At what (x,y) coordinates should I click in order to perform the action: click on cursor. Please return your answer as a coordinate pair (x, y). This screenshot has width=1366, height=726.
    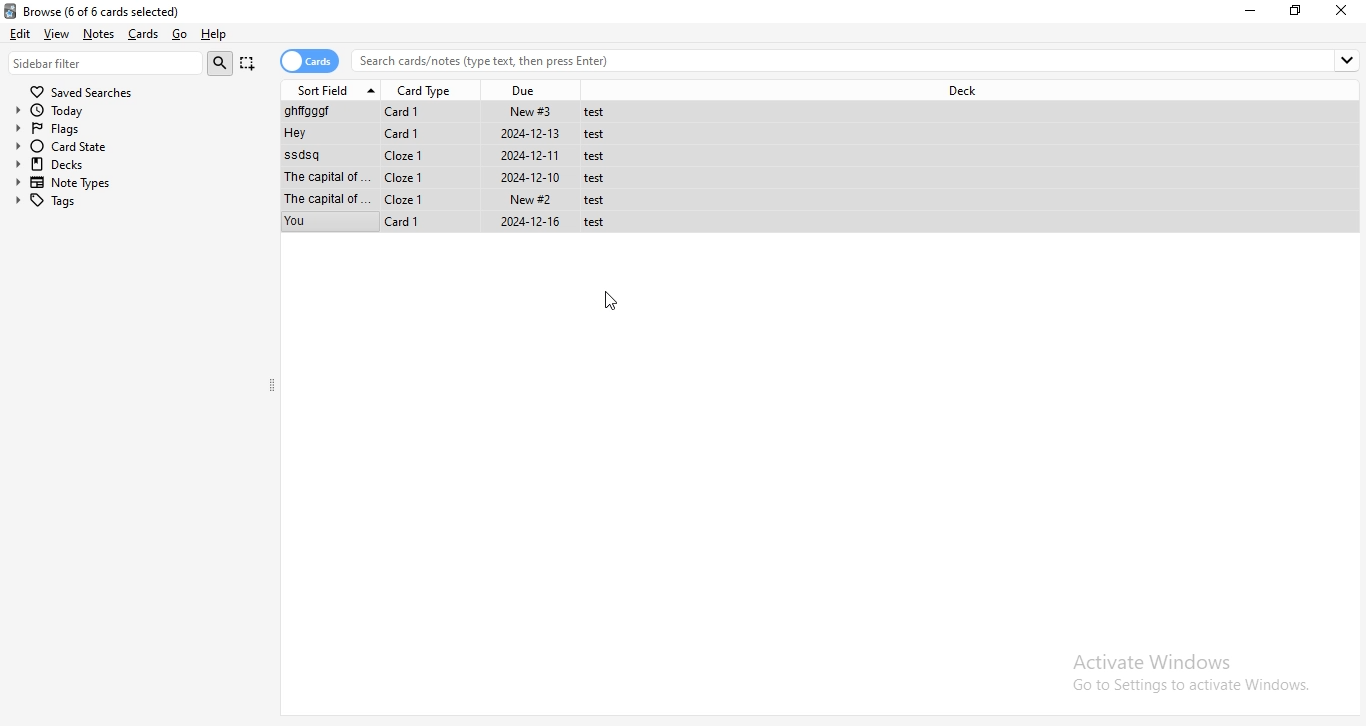
    Looking at the image, I should click on (615, 302).